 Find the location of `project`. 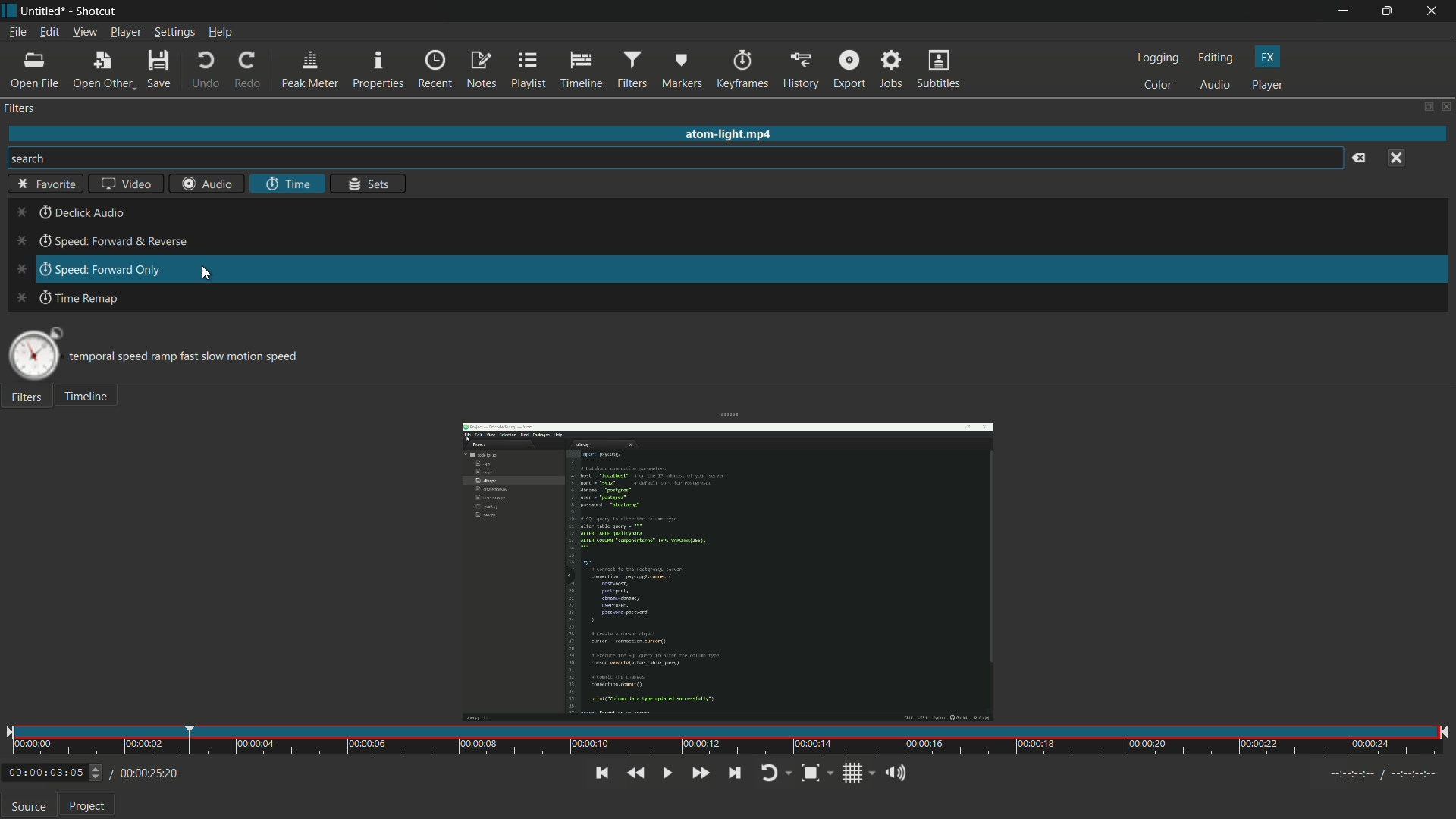

project is located at coordinates (87, 806).